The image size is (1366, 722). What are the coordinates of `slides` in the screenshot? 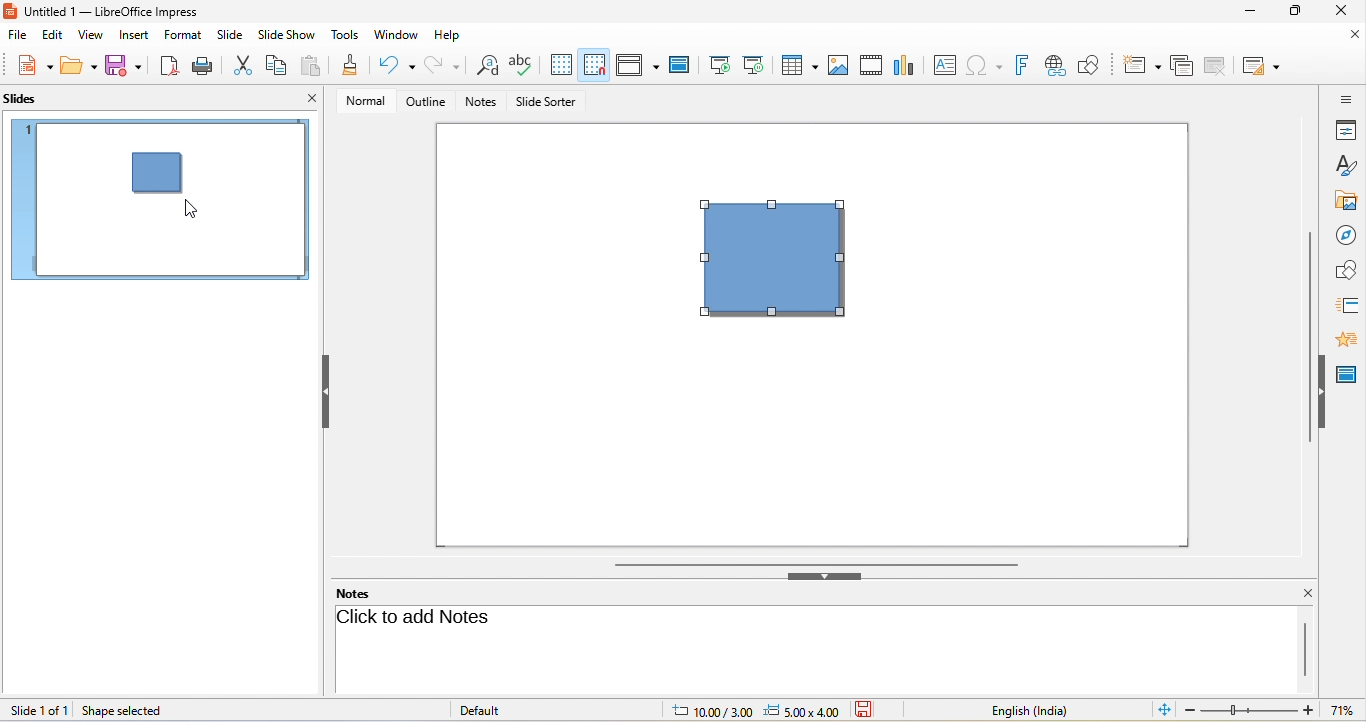 It's located at (24, 98).